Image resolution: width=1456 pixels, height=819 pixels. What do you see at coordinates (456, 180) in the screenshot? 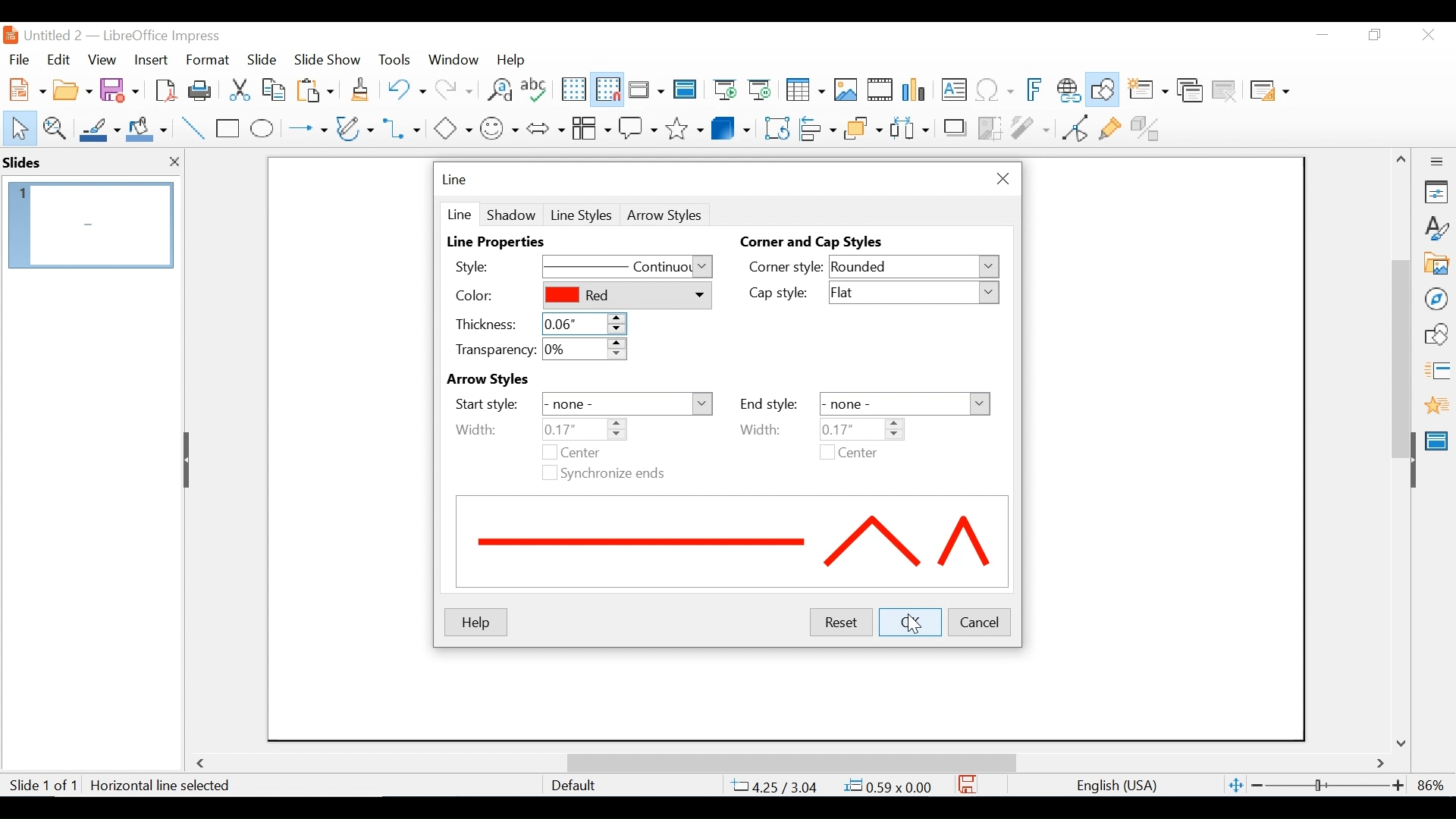
I see `Line menu` at bounding box center [456, 180].